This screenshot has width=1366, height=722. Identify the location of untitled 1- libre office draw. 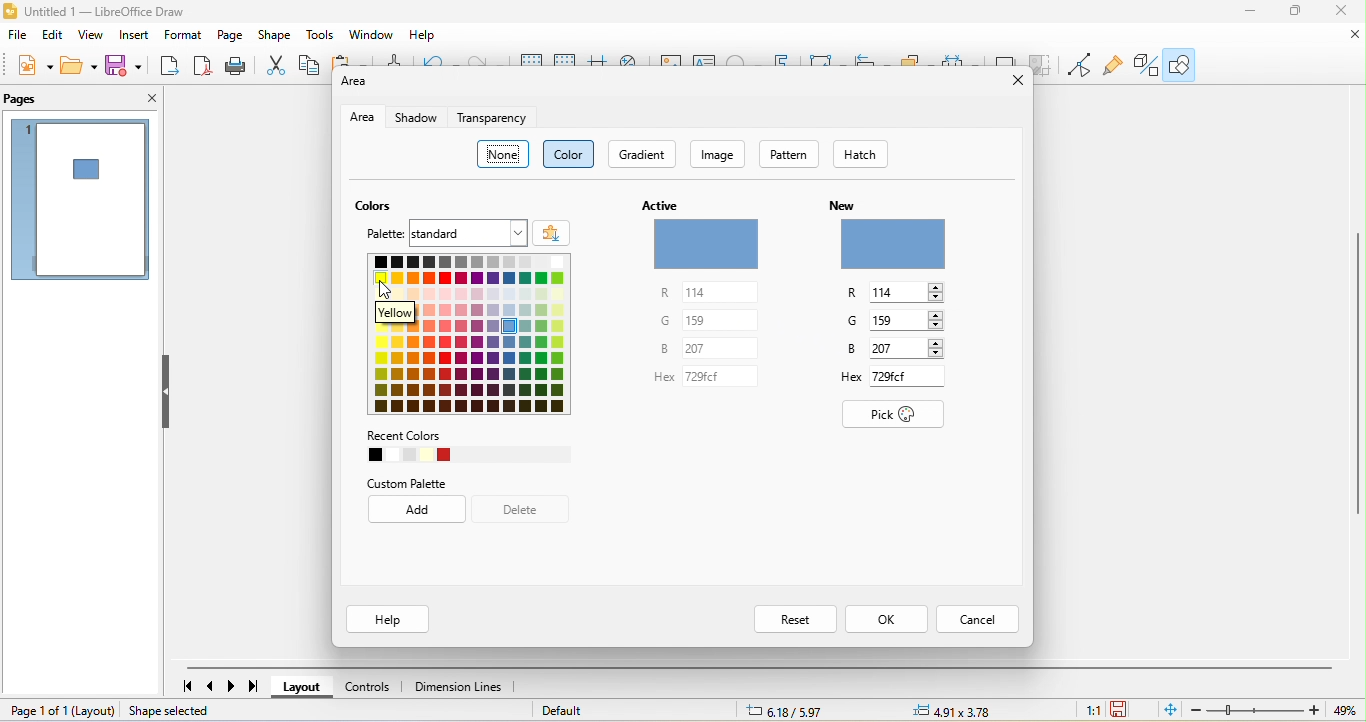
(102, 13).